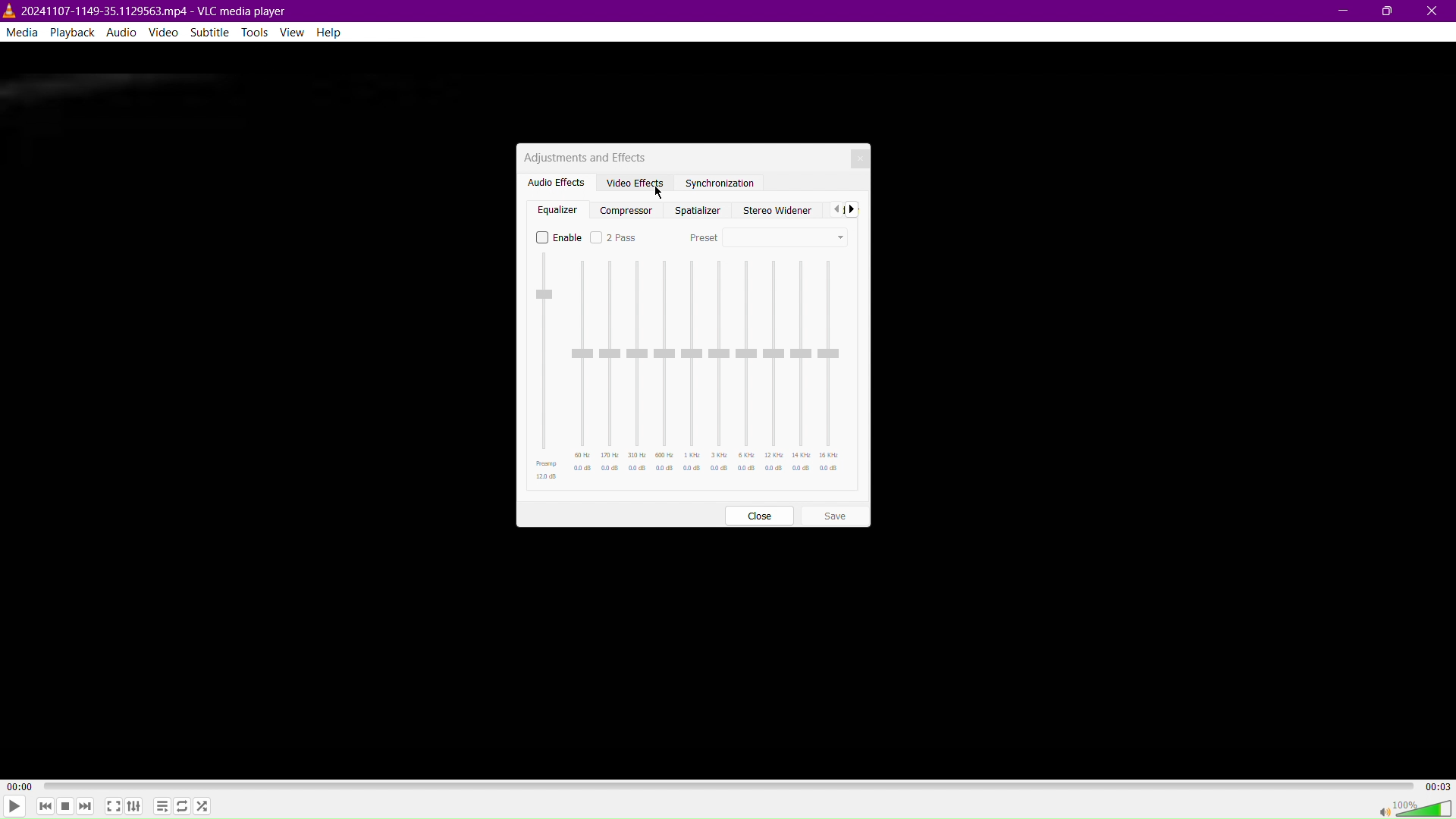 The width and height of the screenshot is (1456, 819). Describe the element at coordinates (86, 808) in the screenshot. I see `Skip Forward` at that location.